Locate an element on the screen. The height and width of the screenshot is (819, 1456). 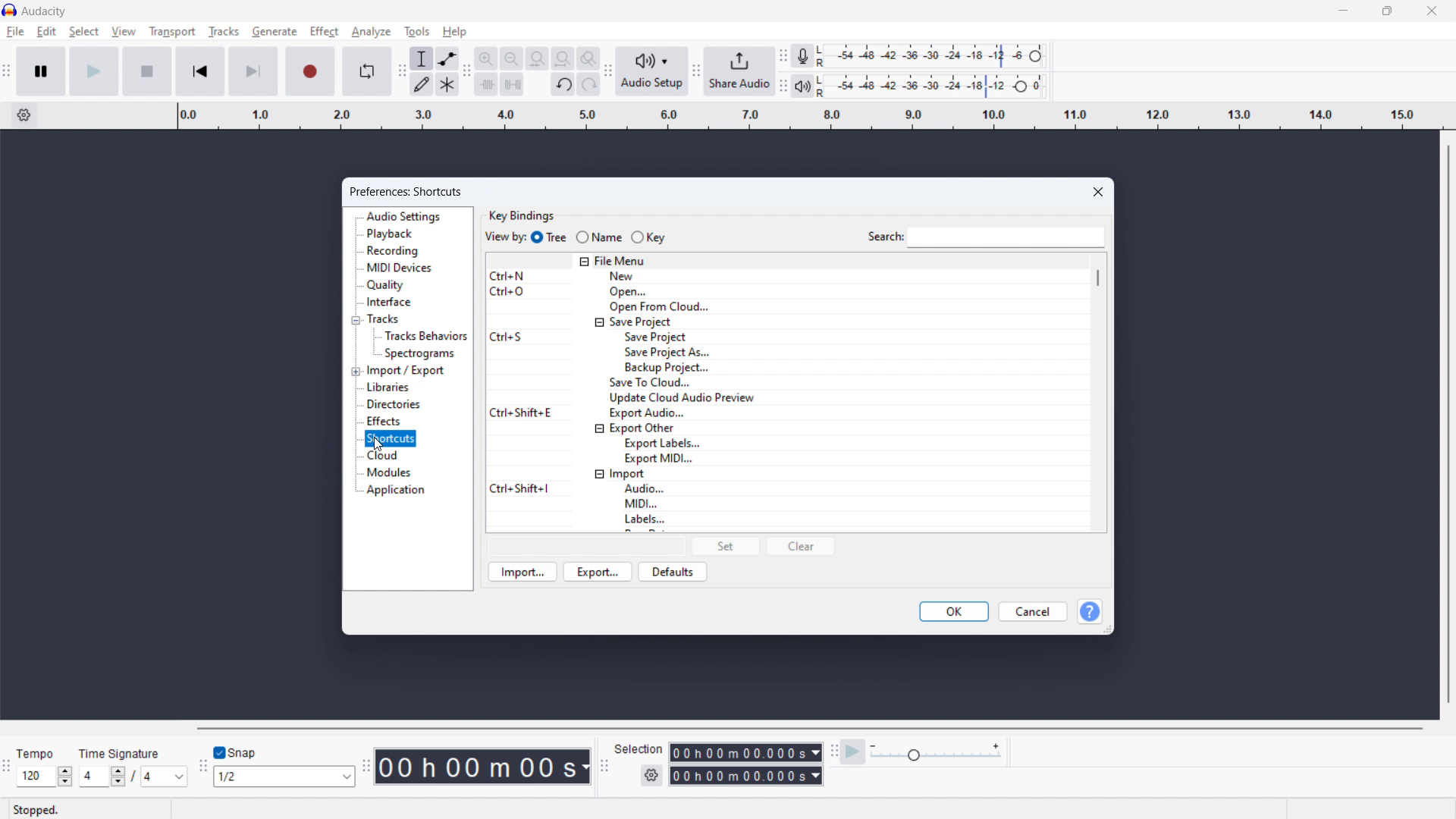
export is located at coordinates (598, 572).